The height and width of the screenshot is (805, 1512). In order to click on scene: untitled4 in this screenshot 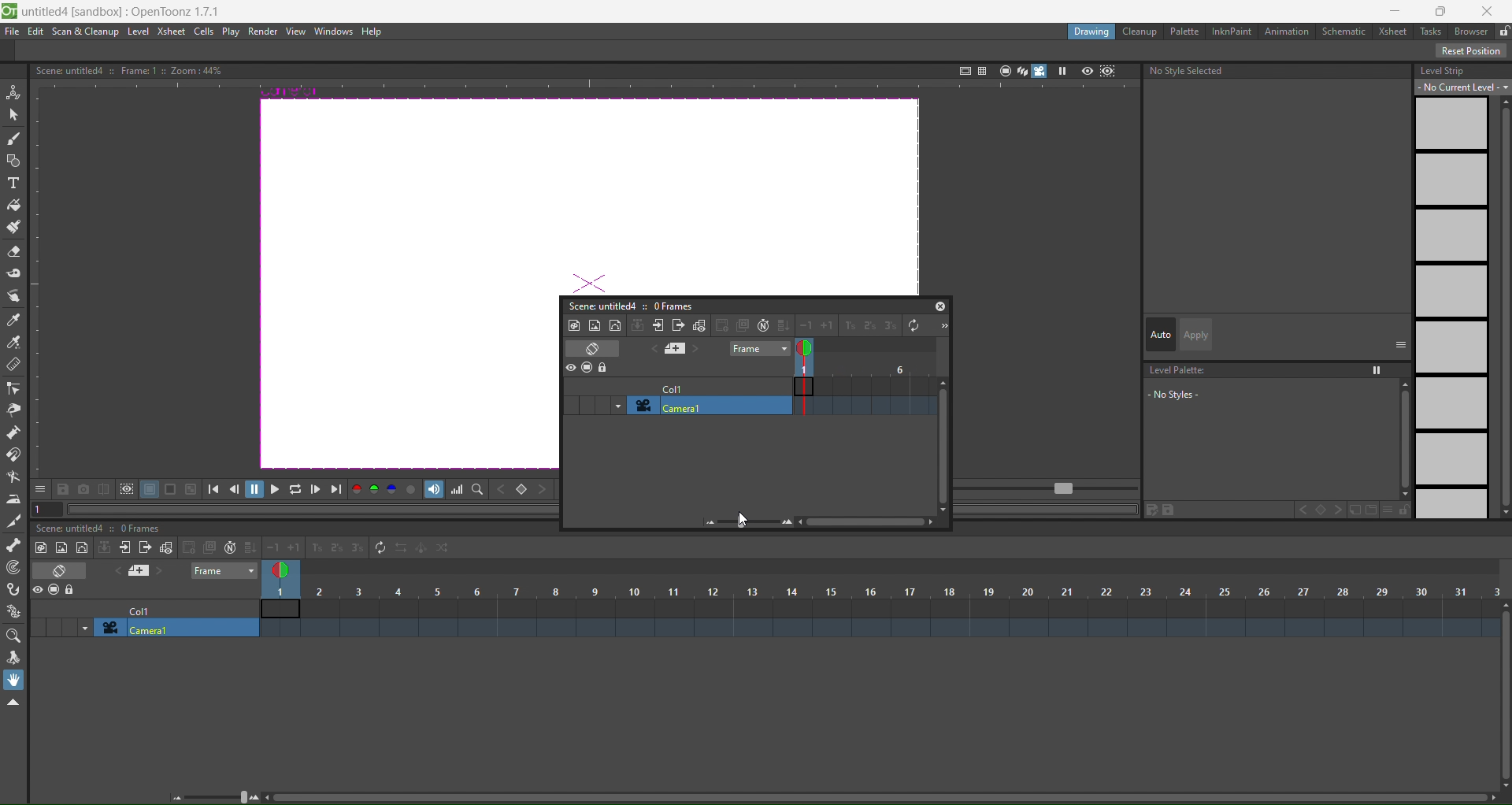, I will do `click(74, 528)`.